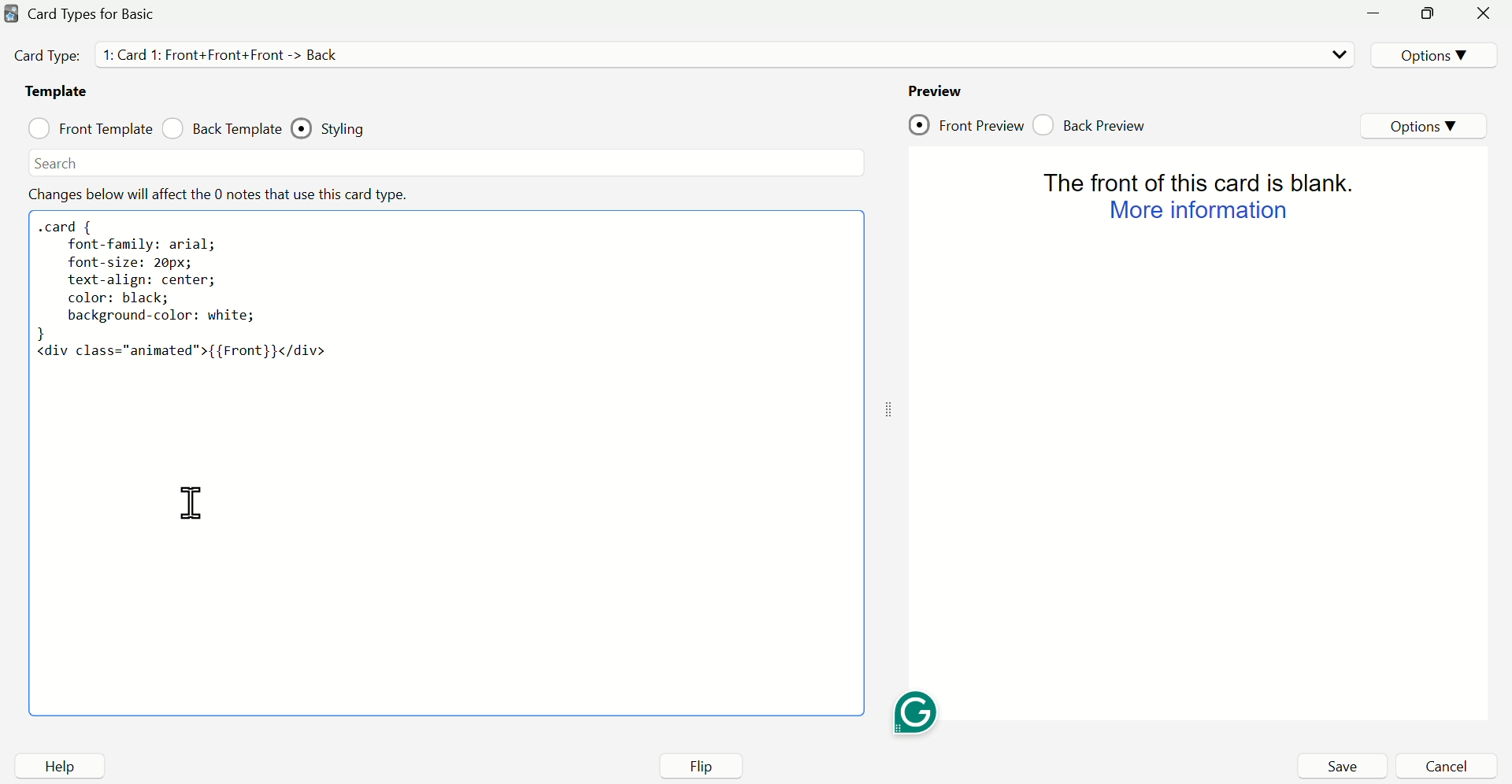 Image resolution: width=1512 pixels, height=784 pixels. What do you see at coordinates (1379, 17) in the screenshot?
I see `minimize` at bounding box center [1379, 17].